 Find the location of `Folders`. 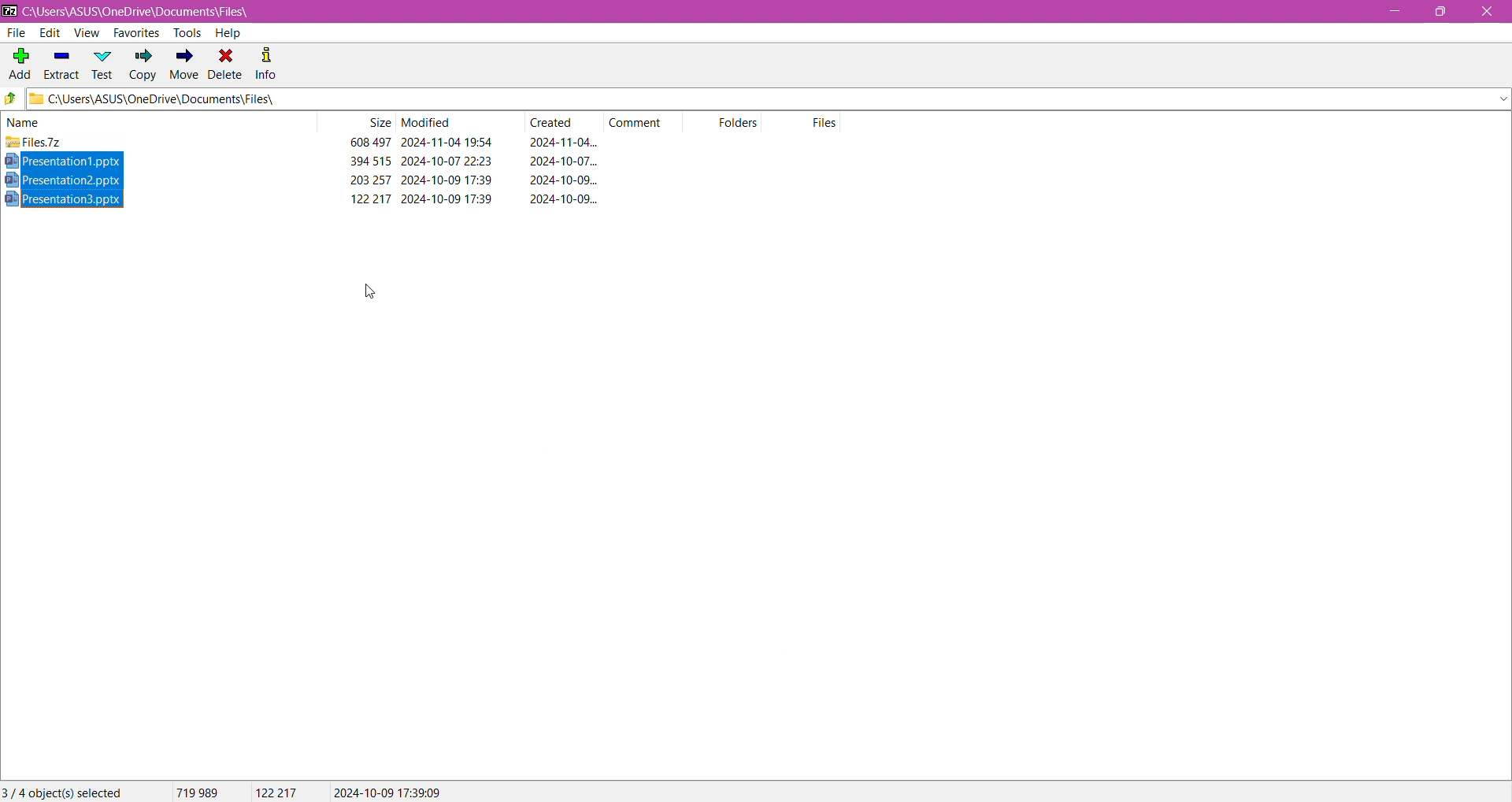

Folders is located at coordinates (745, 124).